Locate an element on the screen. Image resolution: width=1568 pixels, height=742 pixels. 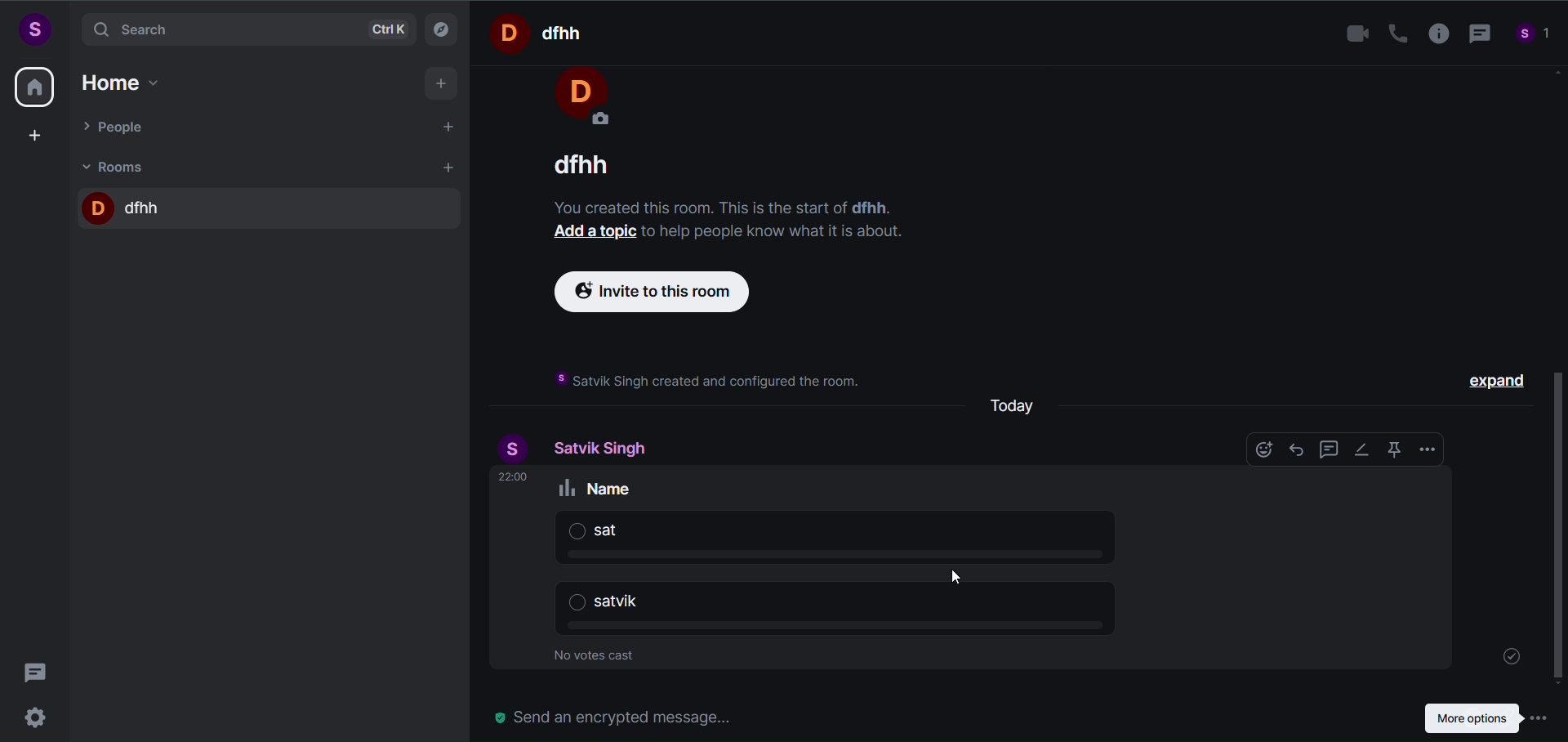
to help people know what it is about. is located at coordinates (774, 230).